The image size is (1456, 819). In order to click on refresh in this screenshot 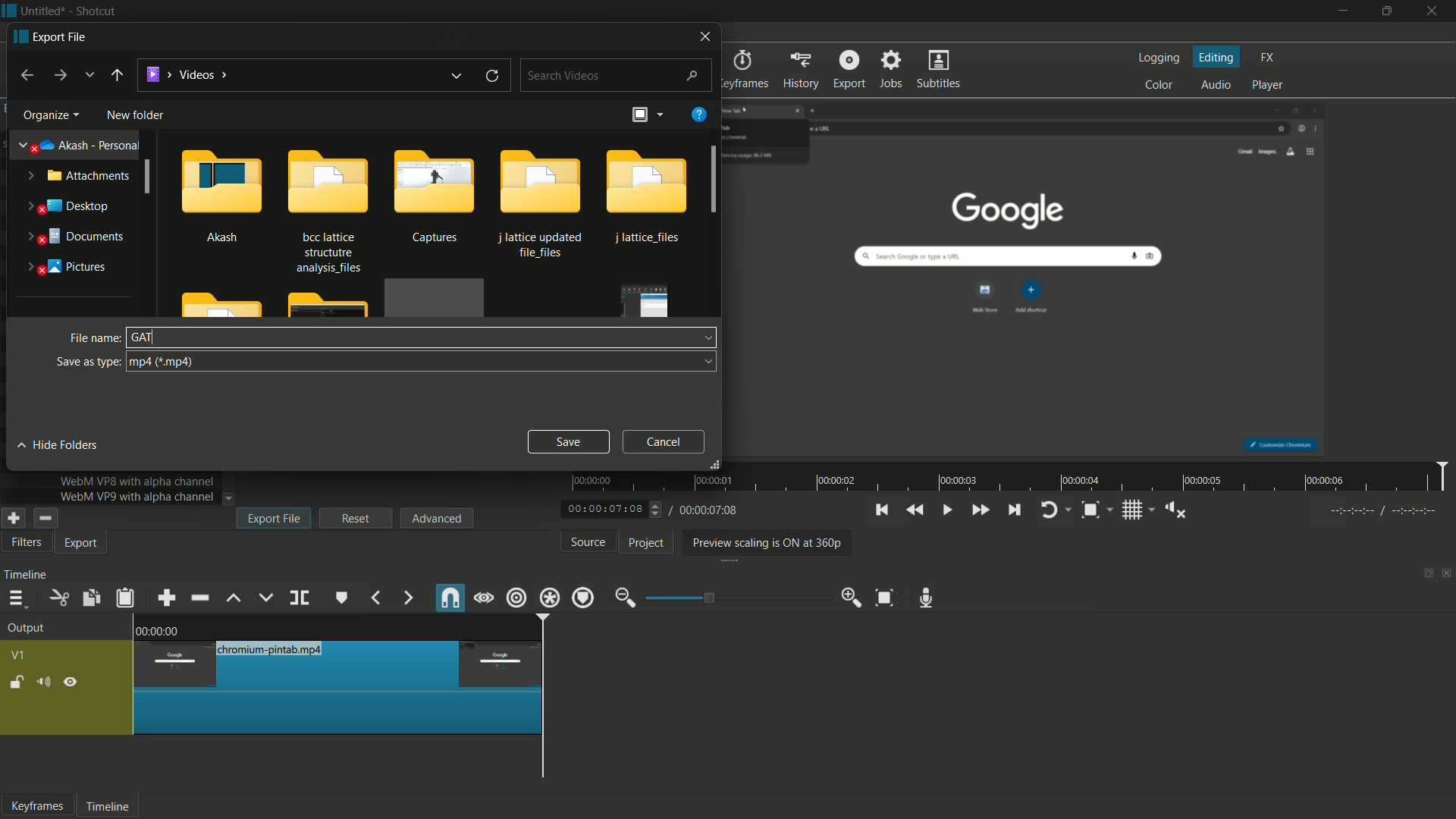, I will do `click(492, 77)`.